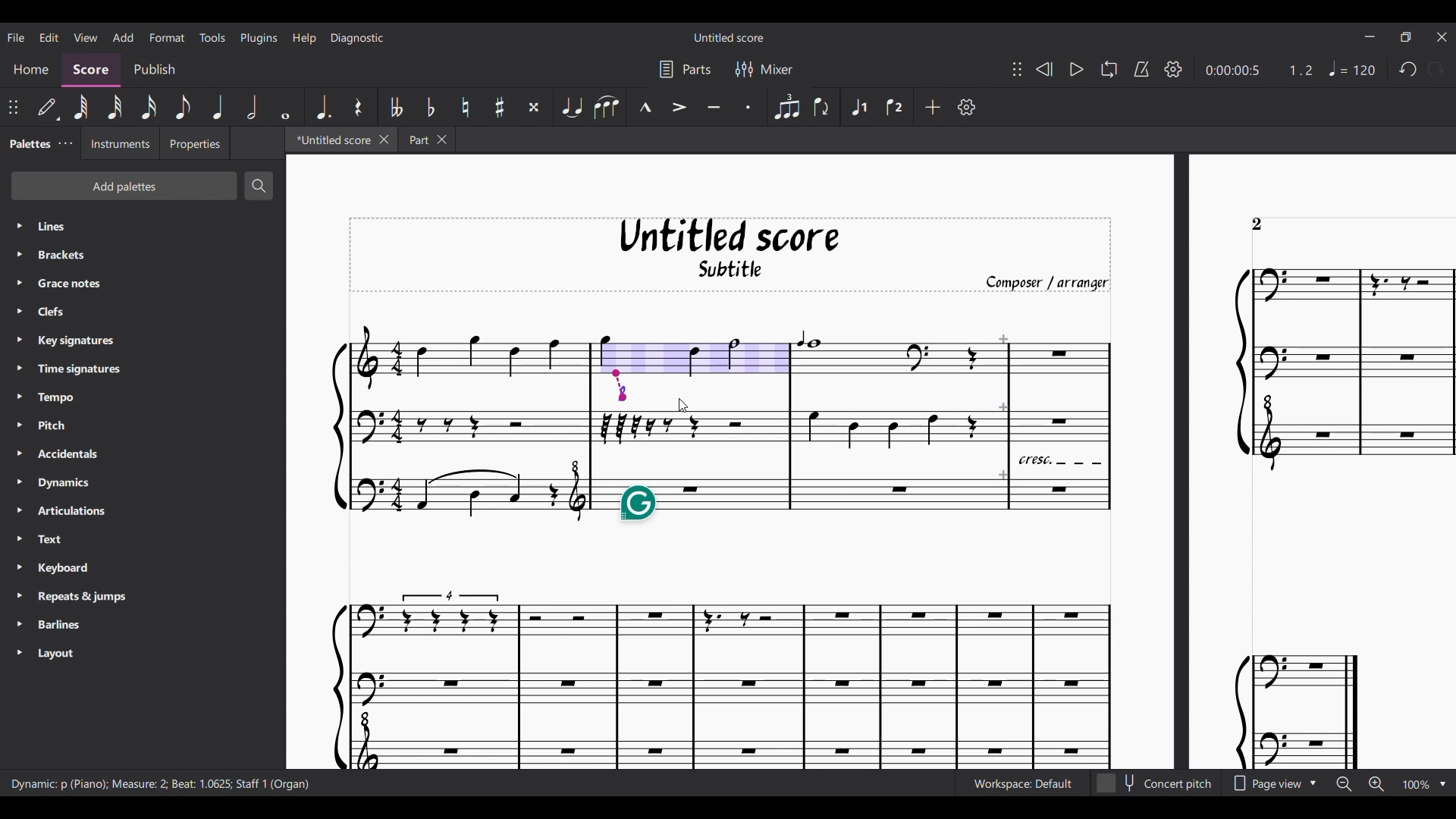 This screenshot has height=819, width=1456. I want to click on Close/Undock Palette tab, so click(66, 143).